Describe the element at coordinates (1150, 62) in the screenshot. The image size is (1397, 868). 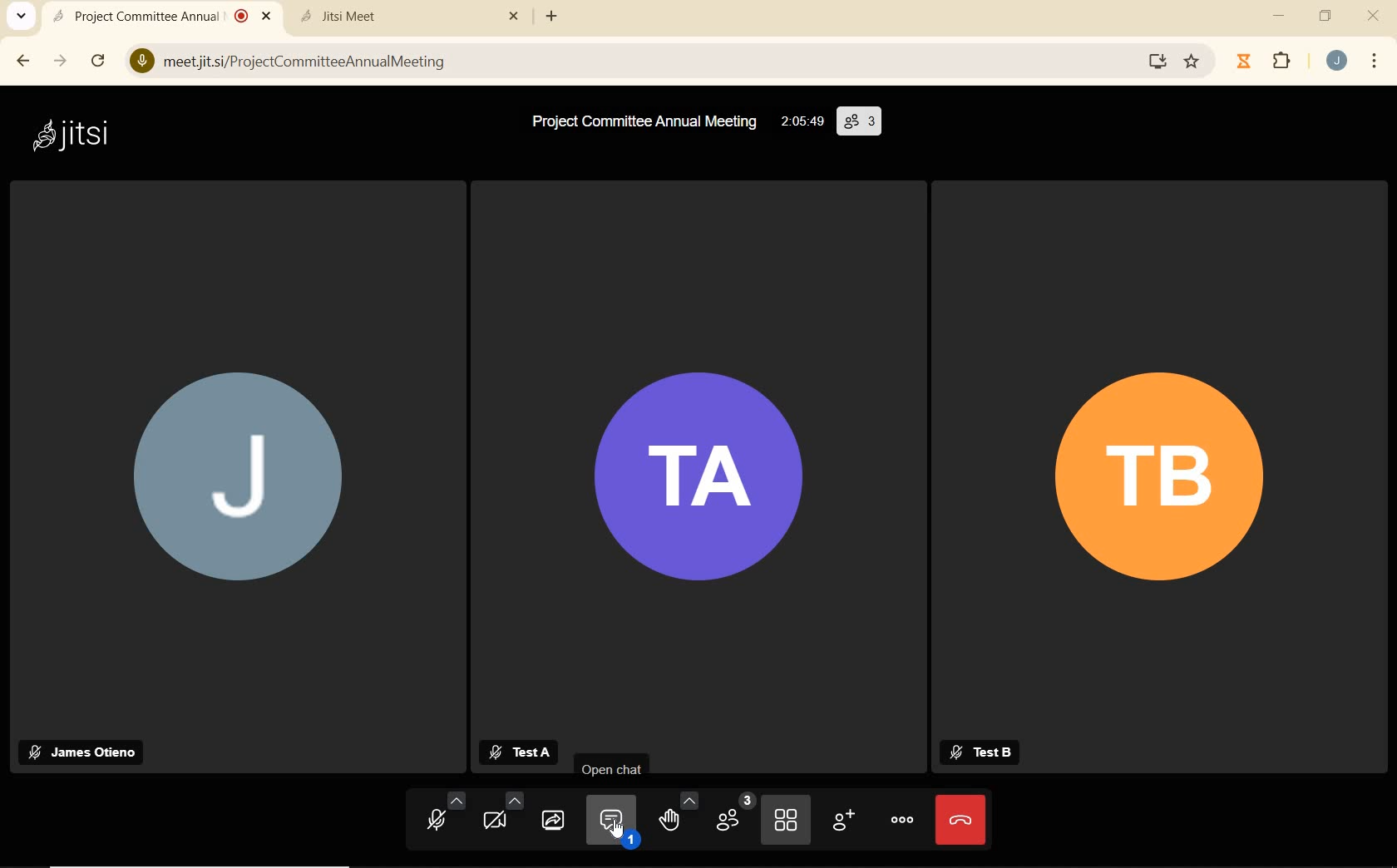
I see `Google Meet install` at that location.